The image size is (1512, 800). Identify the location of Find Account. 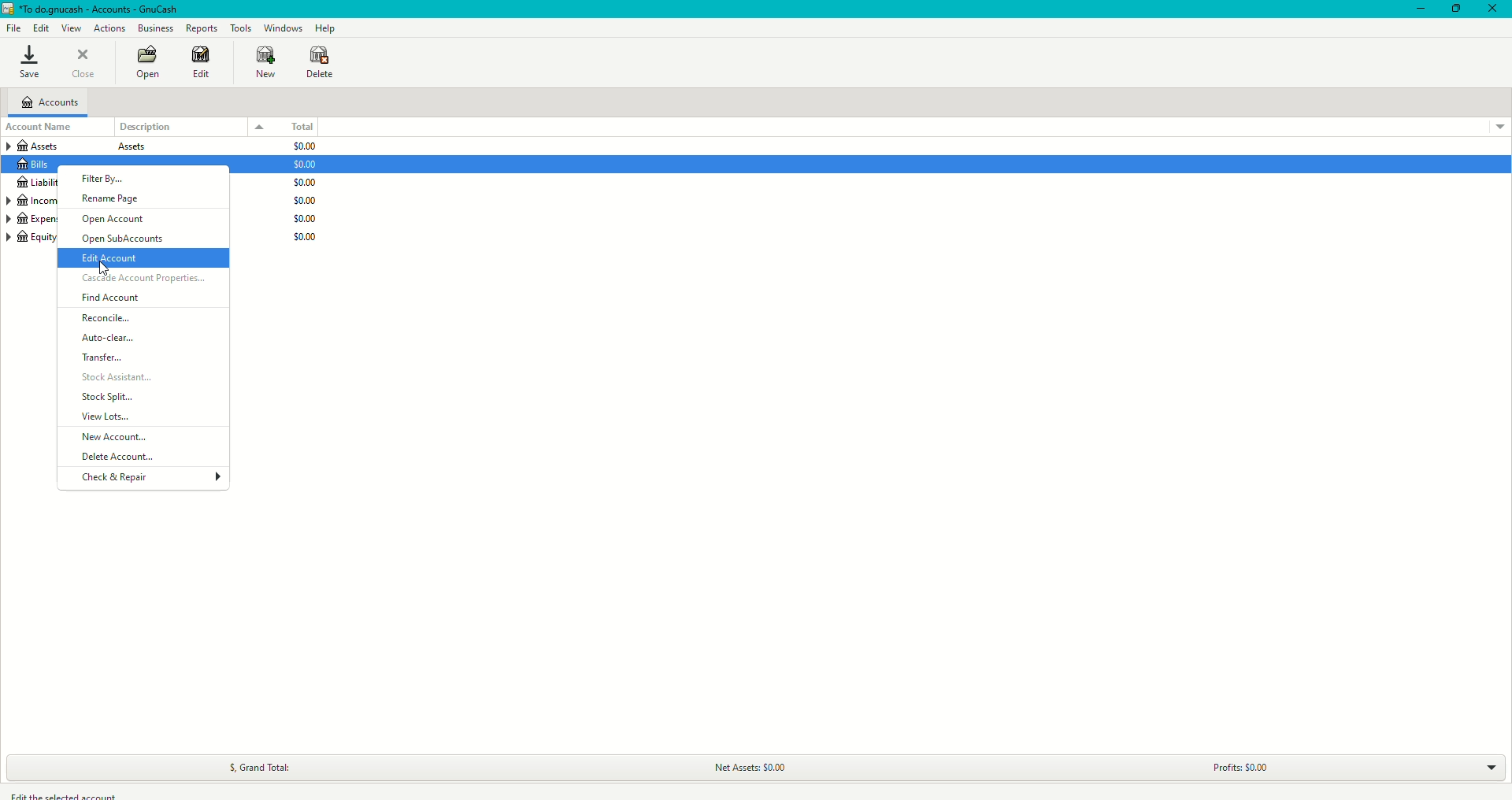
(111, 298).